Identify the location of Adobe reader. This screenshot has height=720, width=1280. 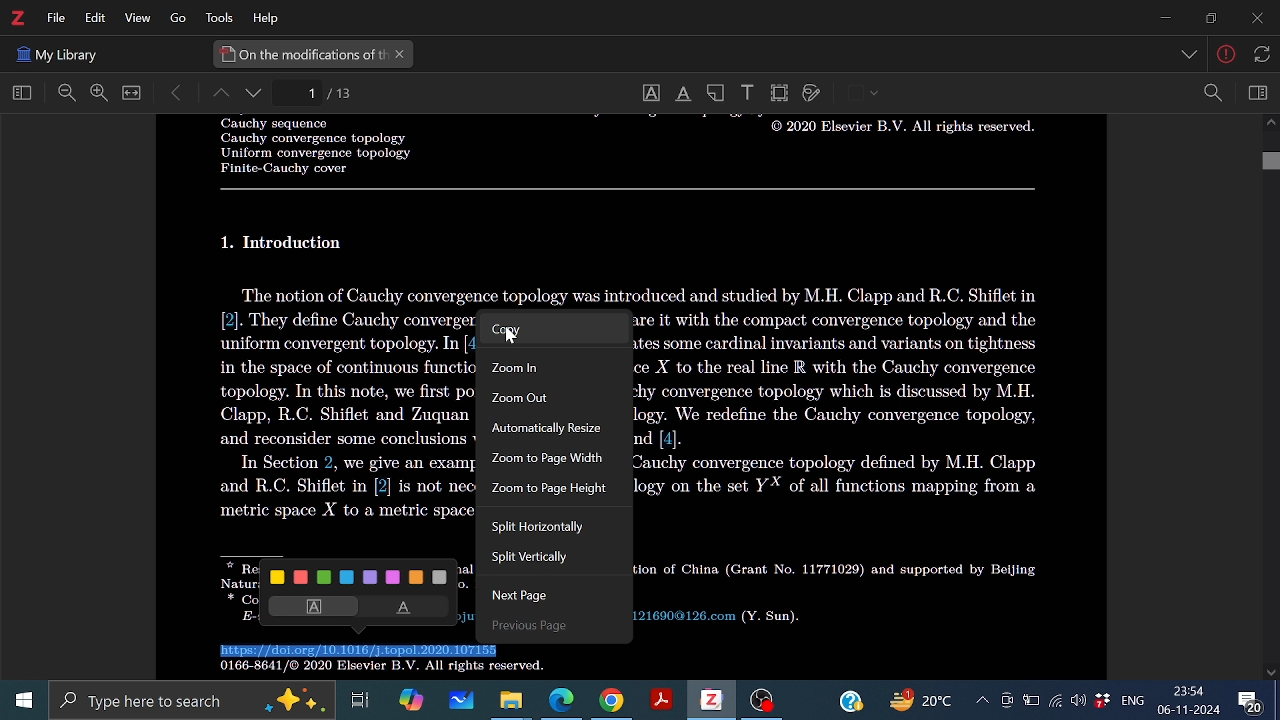
(660, 701).